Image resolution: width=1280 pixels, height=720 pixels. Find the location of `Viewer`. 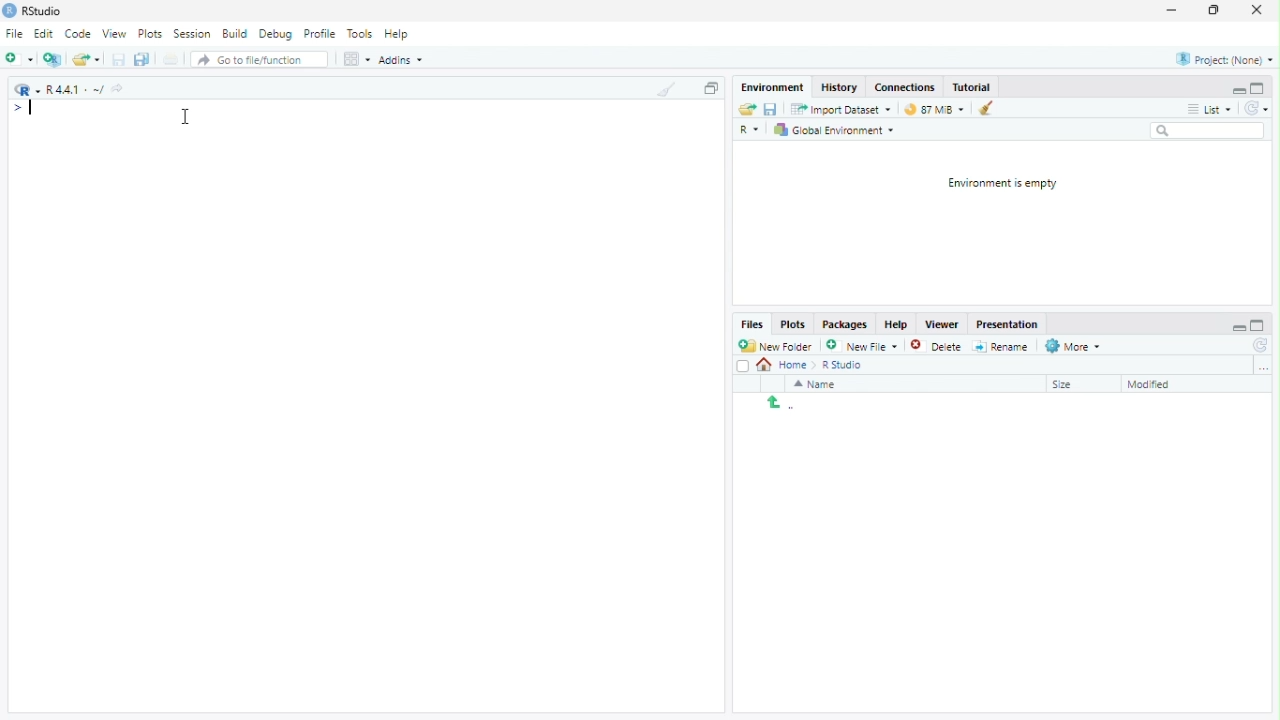

Viewer is located at coordinates (941, 325).